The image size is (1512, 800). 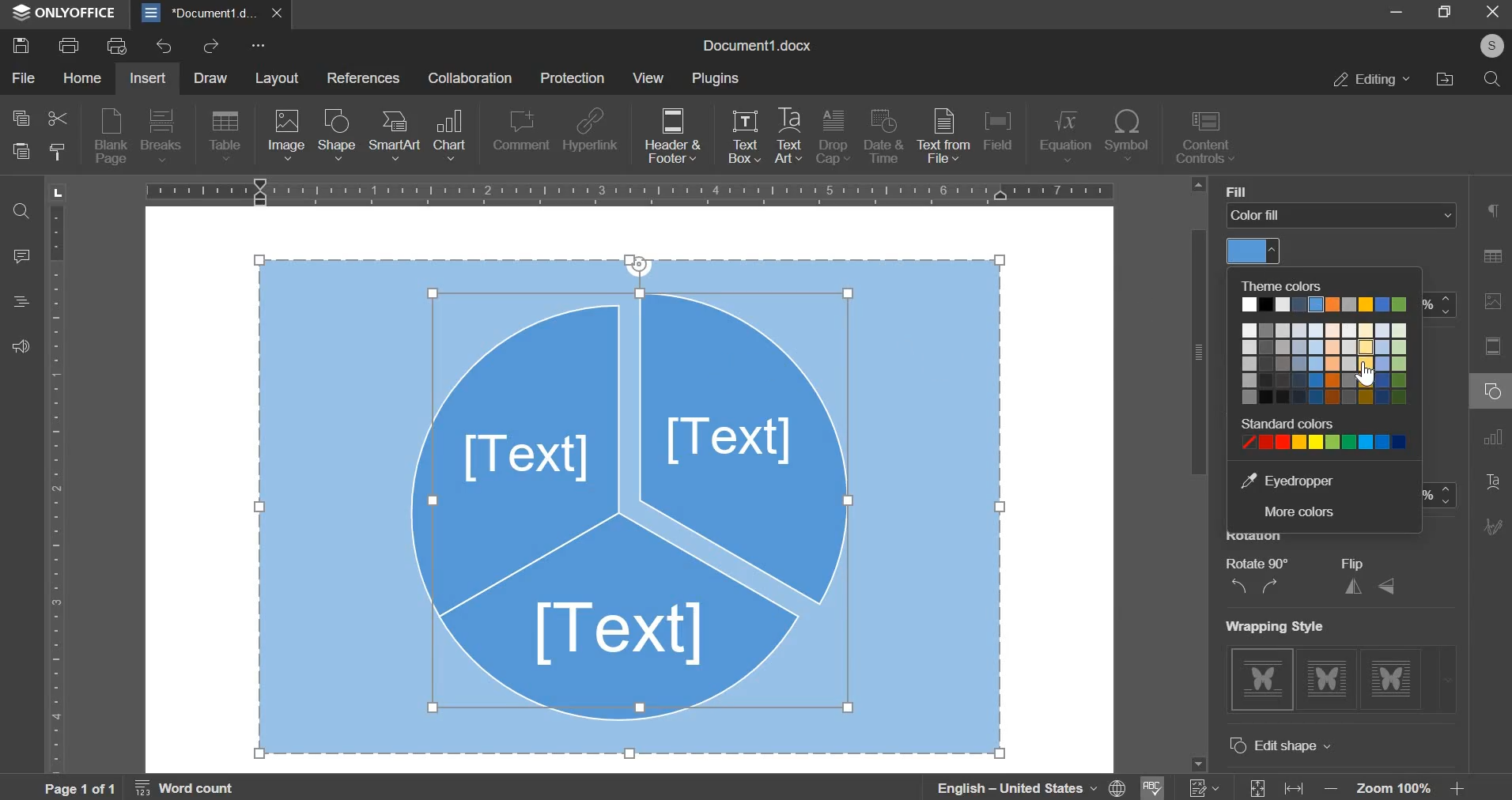 What do you see at coordinates (1257, 783) in the screenshot?
I see `fit size` at bounding box center [1257, 783].